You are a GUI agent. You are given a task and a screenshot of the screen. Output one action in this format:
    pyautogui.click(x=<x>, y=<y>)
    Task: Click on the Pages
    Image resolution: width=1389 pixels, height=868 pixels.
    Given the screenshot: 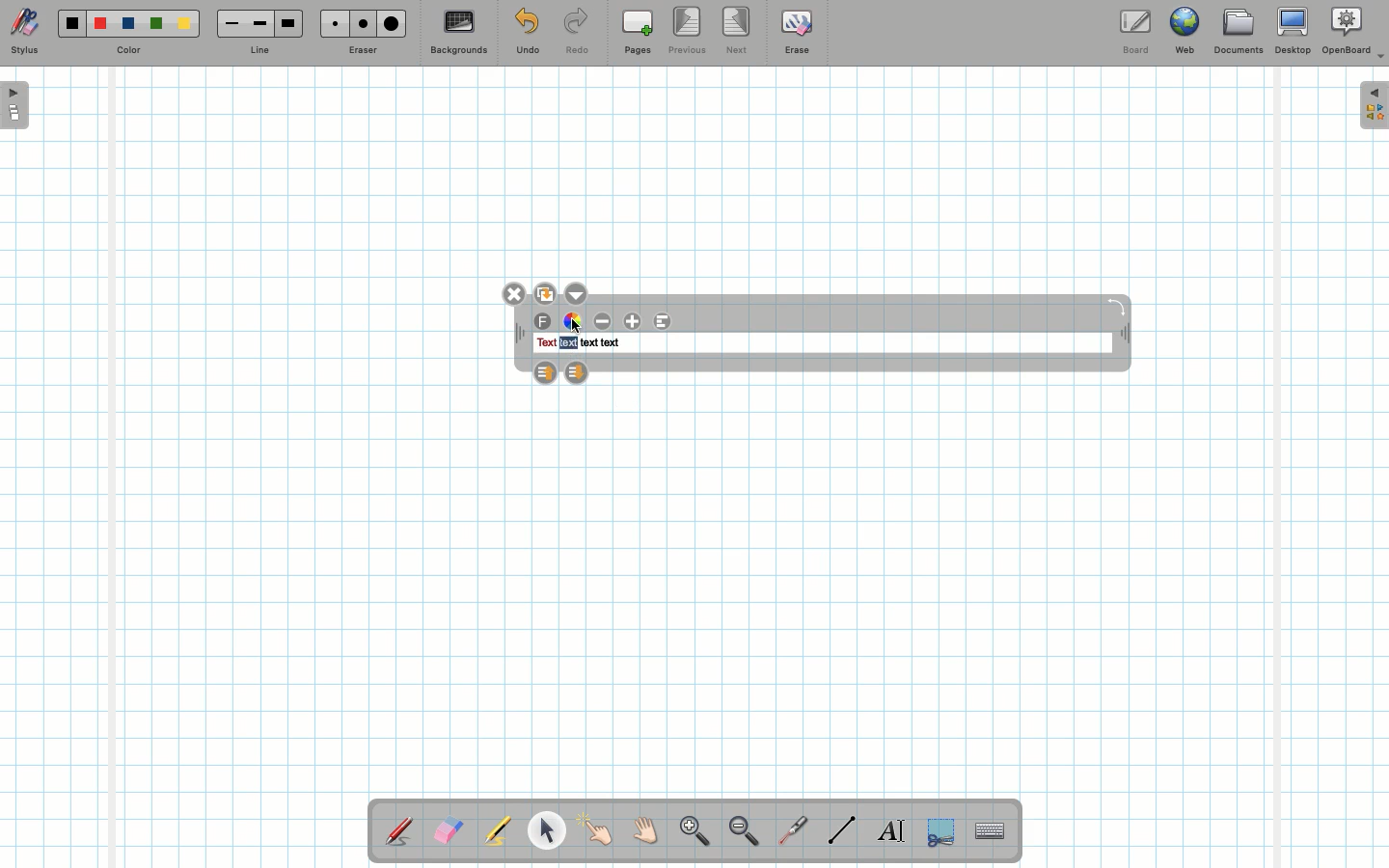 What is the action you would take?
    pyautogui.click(x=638, y=34)
    